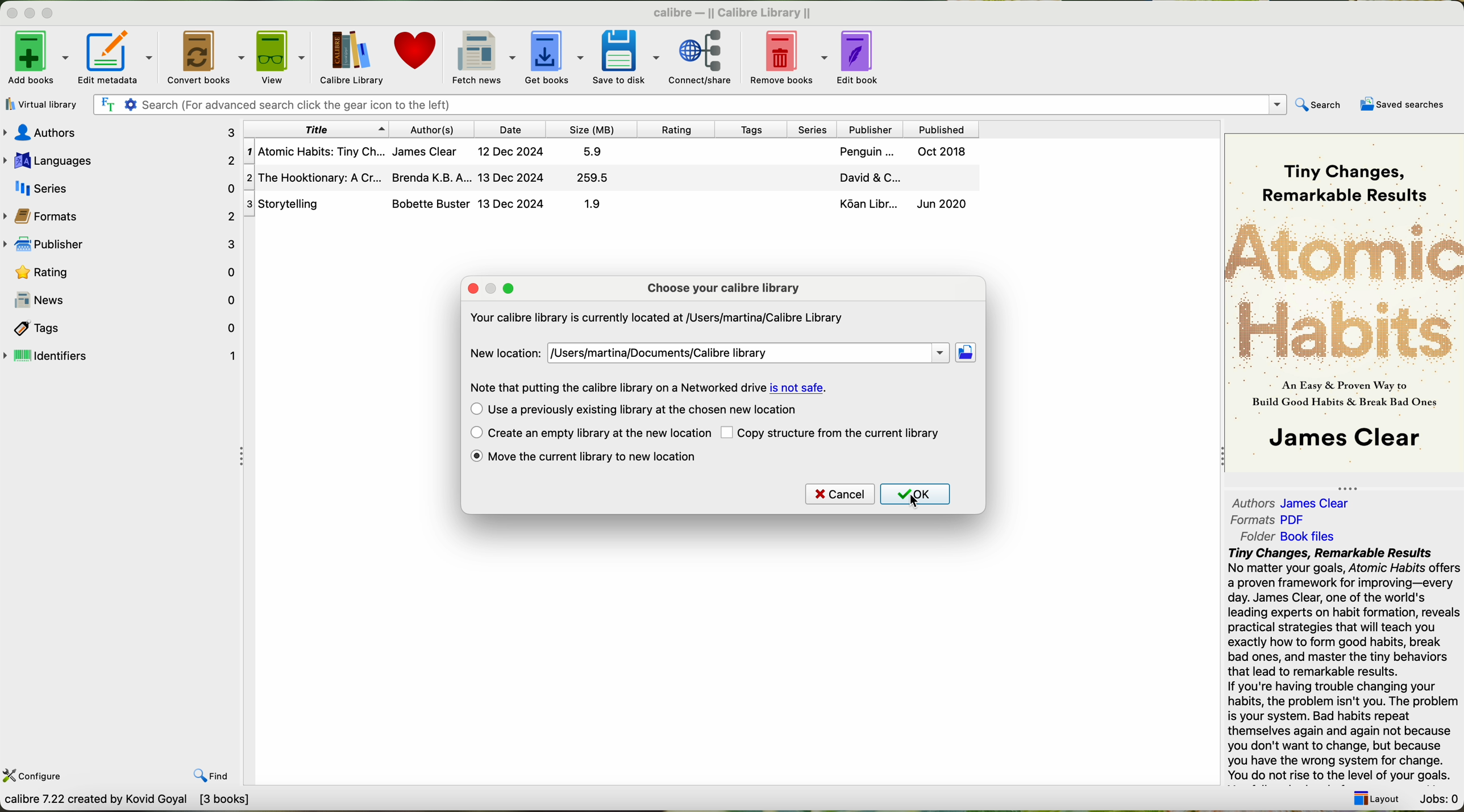 Image resolution: width=1464 pixels, height=812 pixels. I want to click on David & C..., so click(897, 178).